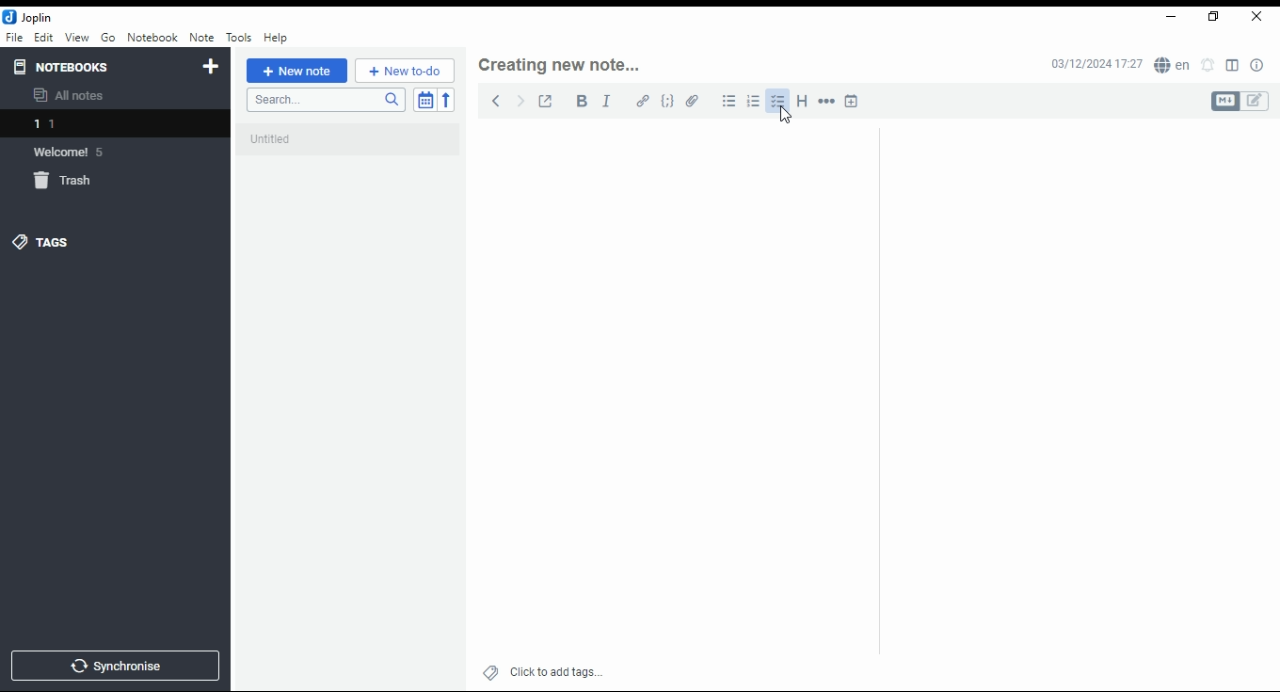 The image size is (1280, 692). What do you see at coordinates (786, 116) in the screenshot?
I see `mouse pointer` at bounding box center [786, 116].